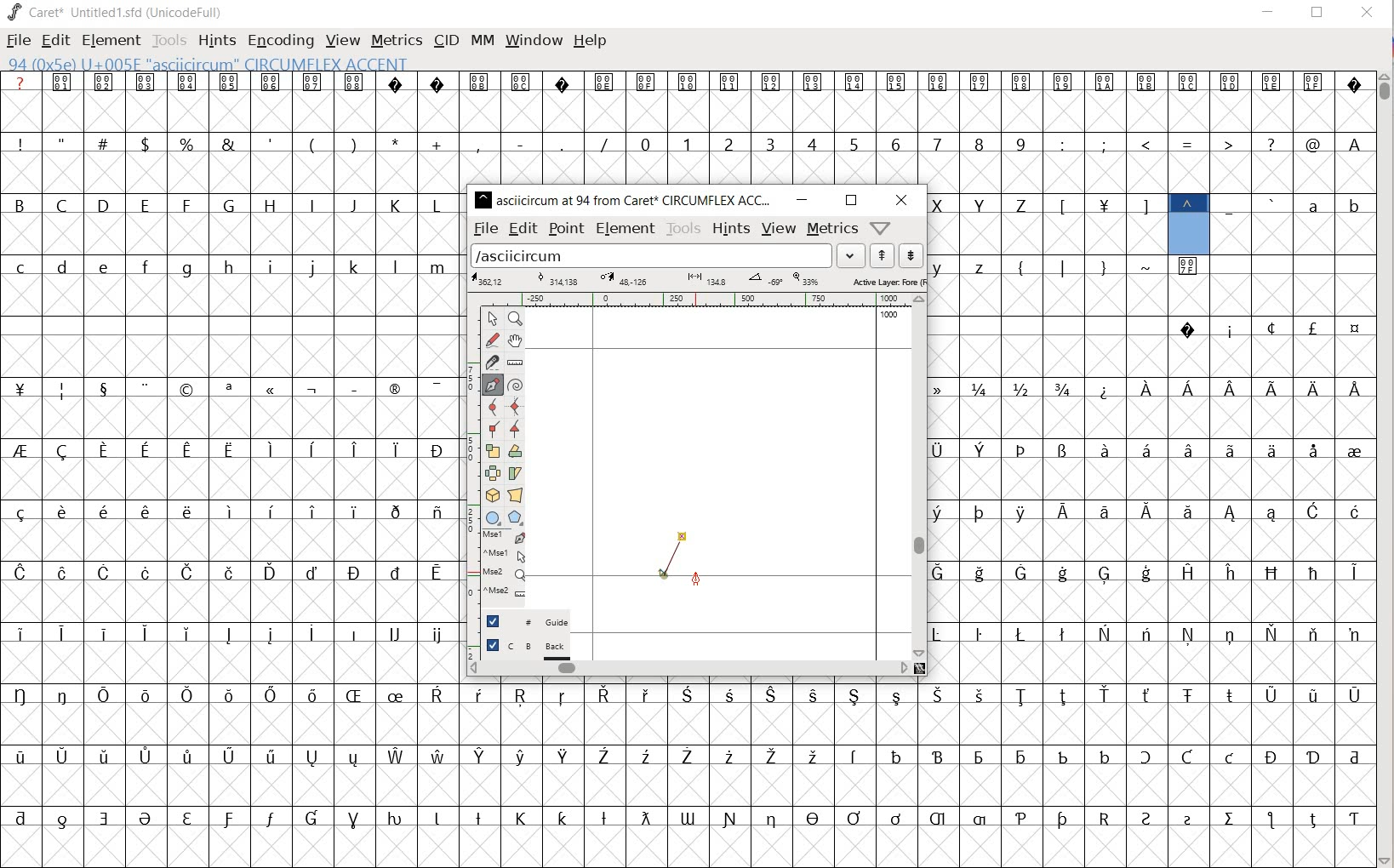 This screenshot has width=1394, height=868. Describe the element at coordinates (269, 65) in the screenshot. I see `94 0xSe U+00SE "asciicircum CIRCUMFLEX ACCENT` at that location.